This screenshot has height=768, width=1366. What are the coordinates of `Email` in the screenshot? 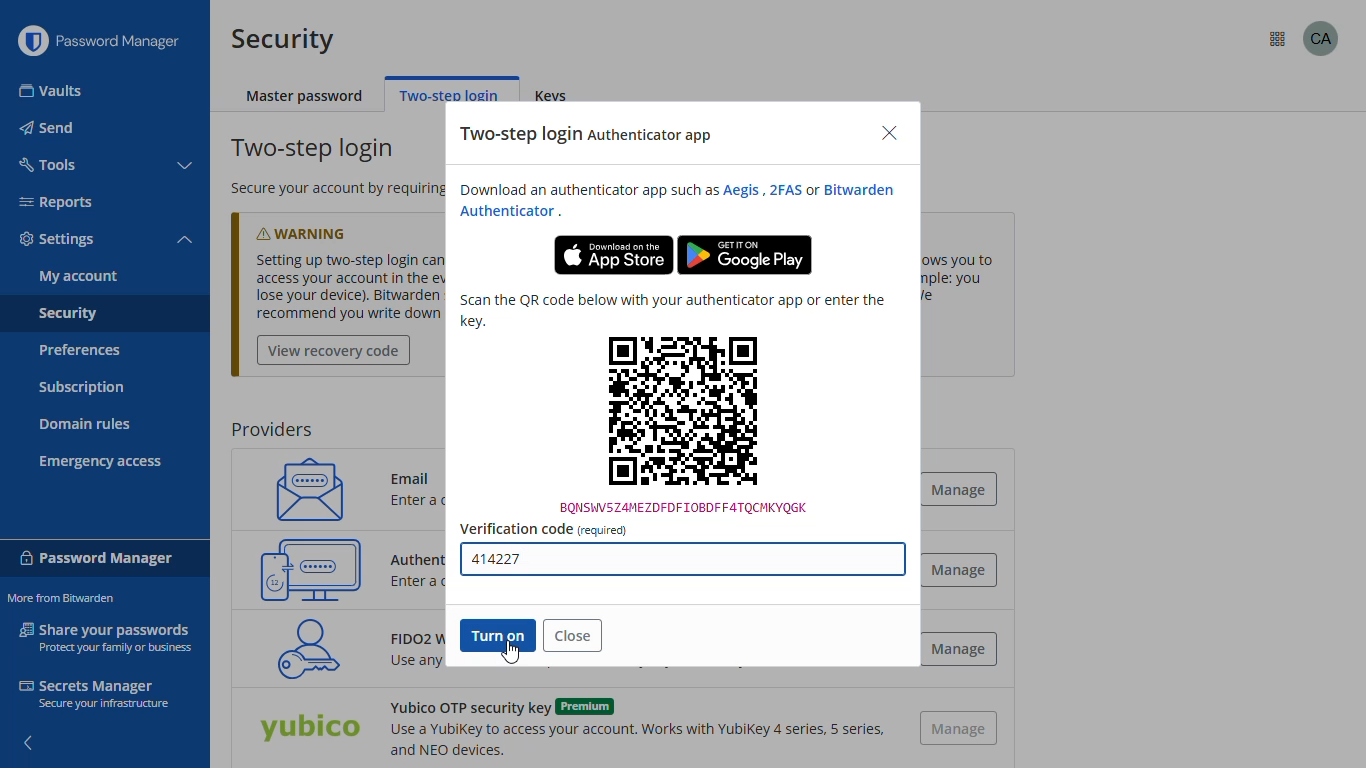 It's located at (417, 474).